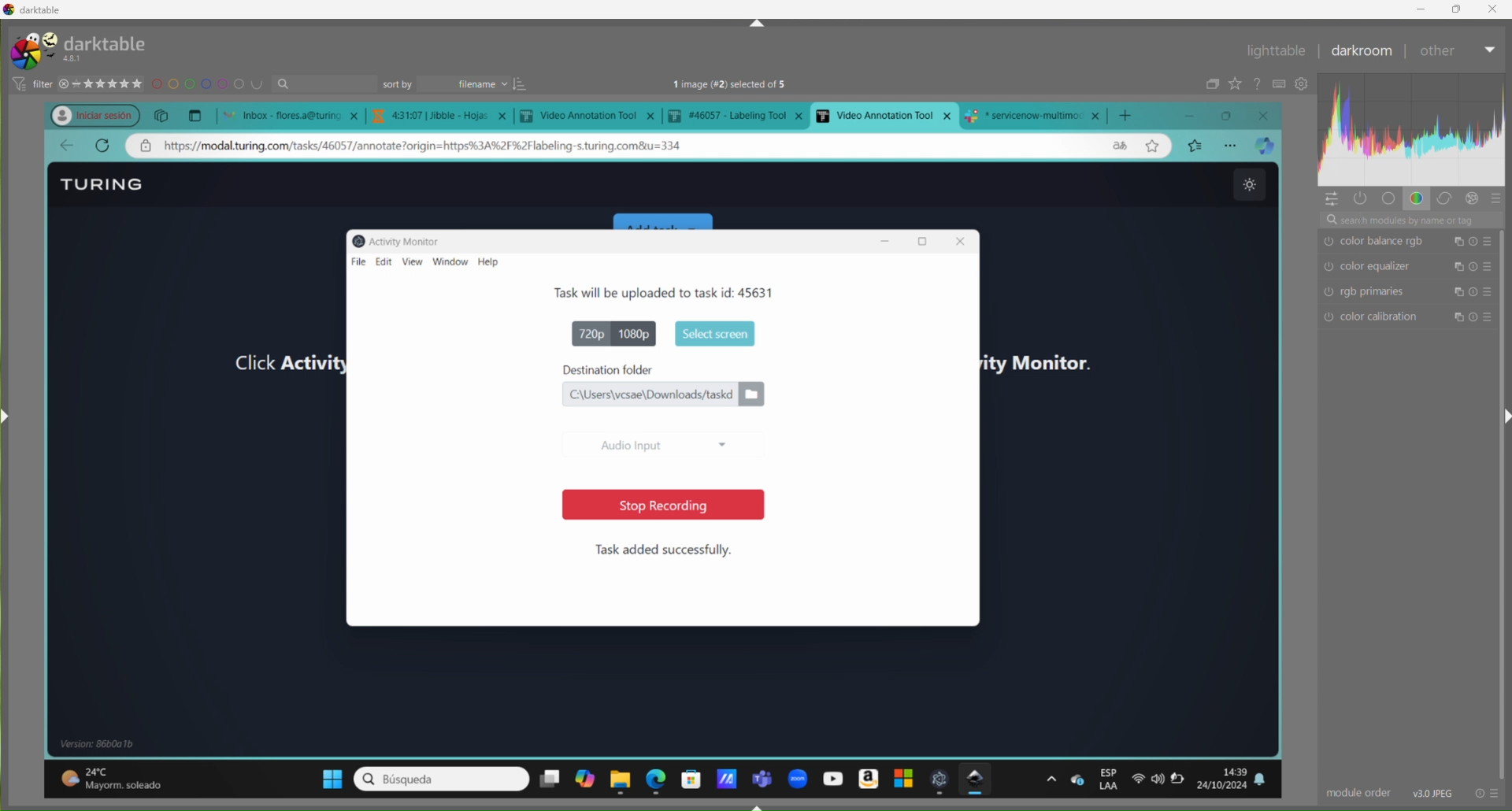  I want to click on esp Laa, so click(1110, 780).